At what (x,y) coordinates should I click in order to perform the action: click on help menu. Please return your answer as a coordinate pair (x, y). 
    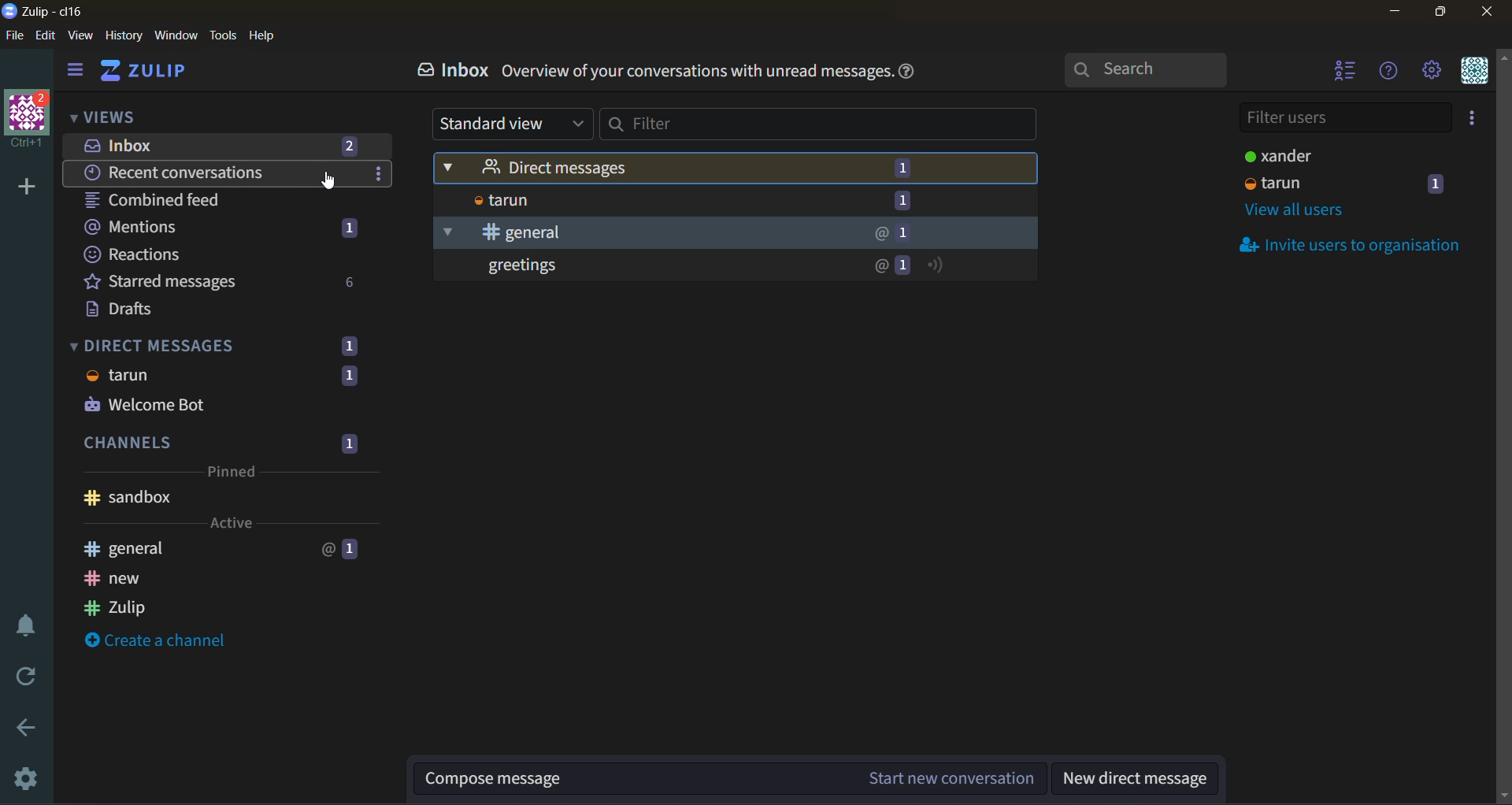
    Looking at the image, I should click on (1389, 75).